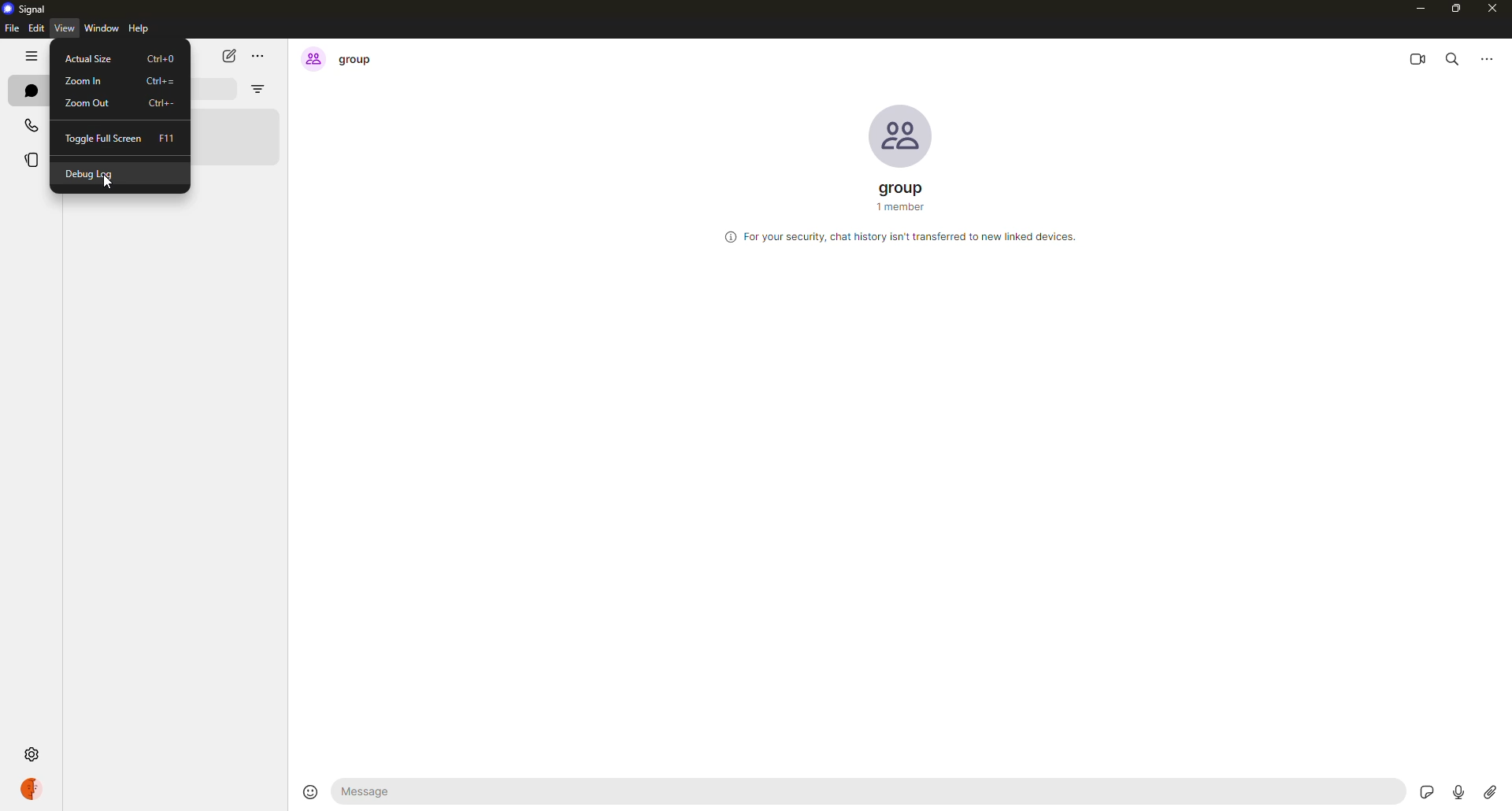 Image resolution: width=1512 pixels, height=811 pixels. What do you see at coordinates (1490, 57) in the screenshot?
I see `more` at bounding box center [1490, 57].